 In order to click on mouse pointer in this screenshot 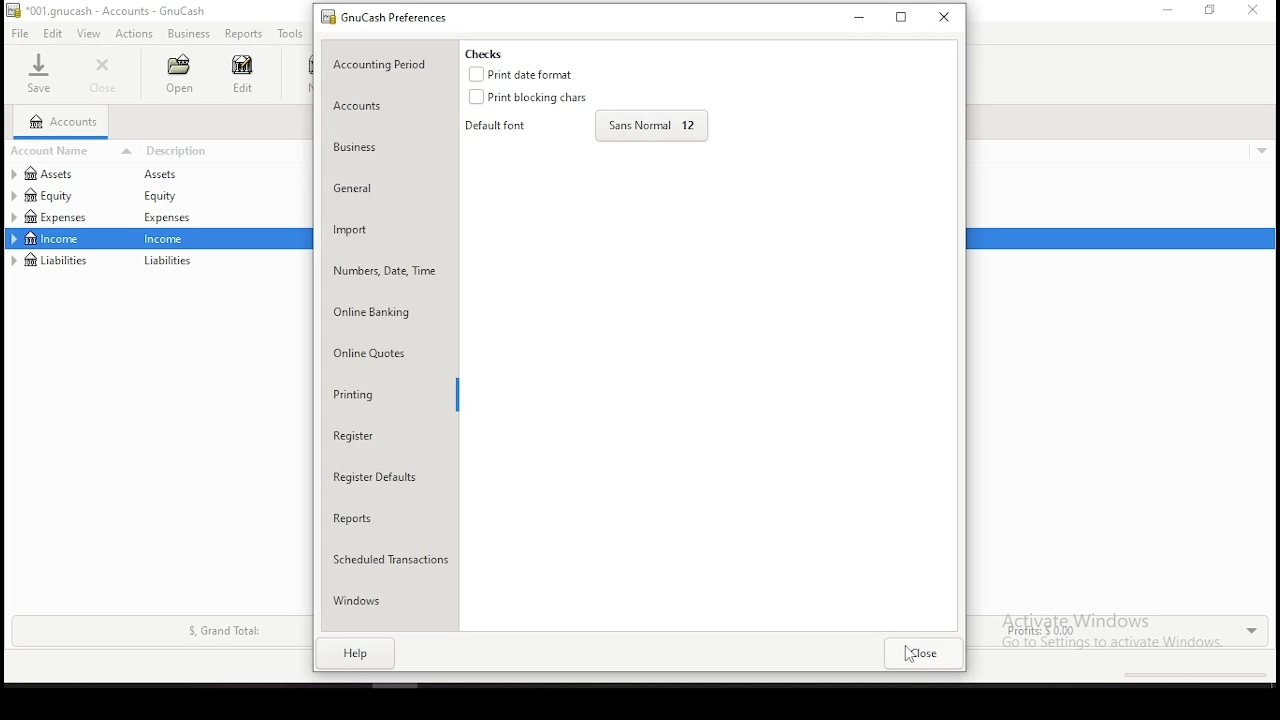, I will do `click(907, 655)`.